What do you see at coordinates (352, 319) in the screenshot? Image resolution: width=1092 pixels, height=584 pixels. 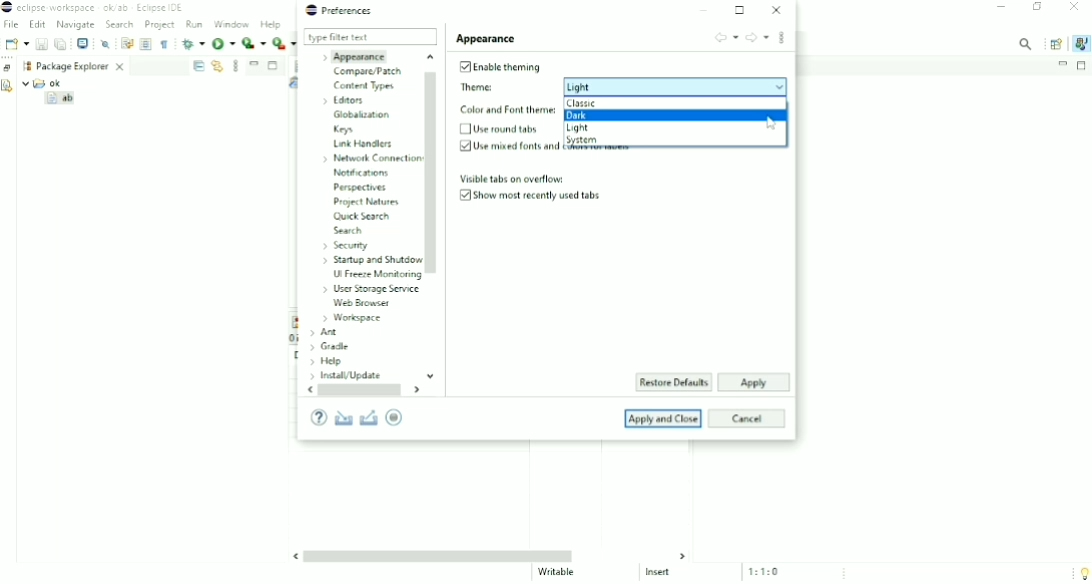 I see `Workspace` at bounding box center [352, 319].